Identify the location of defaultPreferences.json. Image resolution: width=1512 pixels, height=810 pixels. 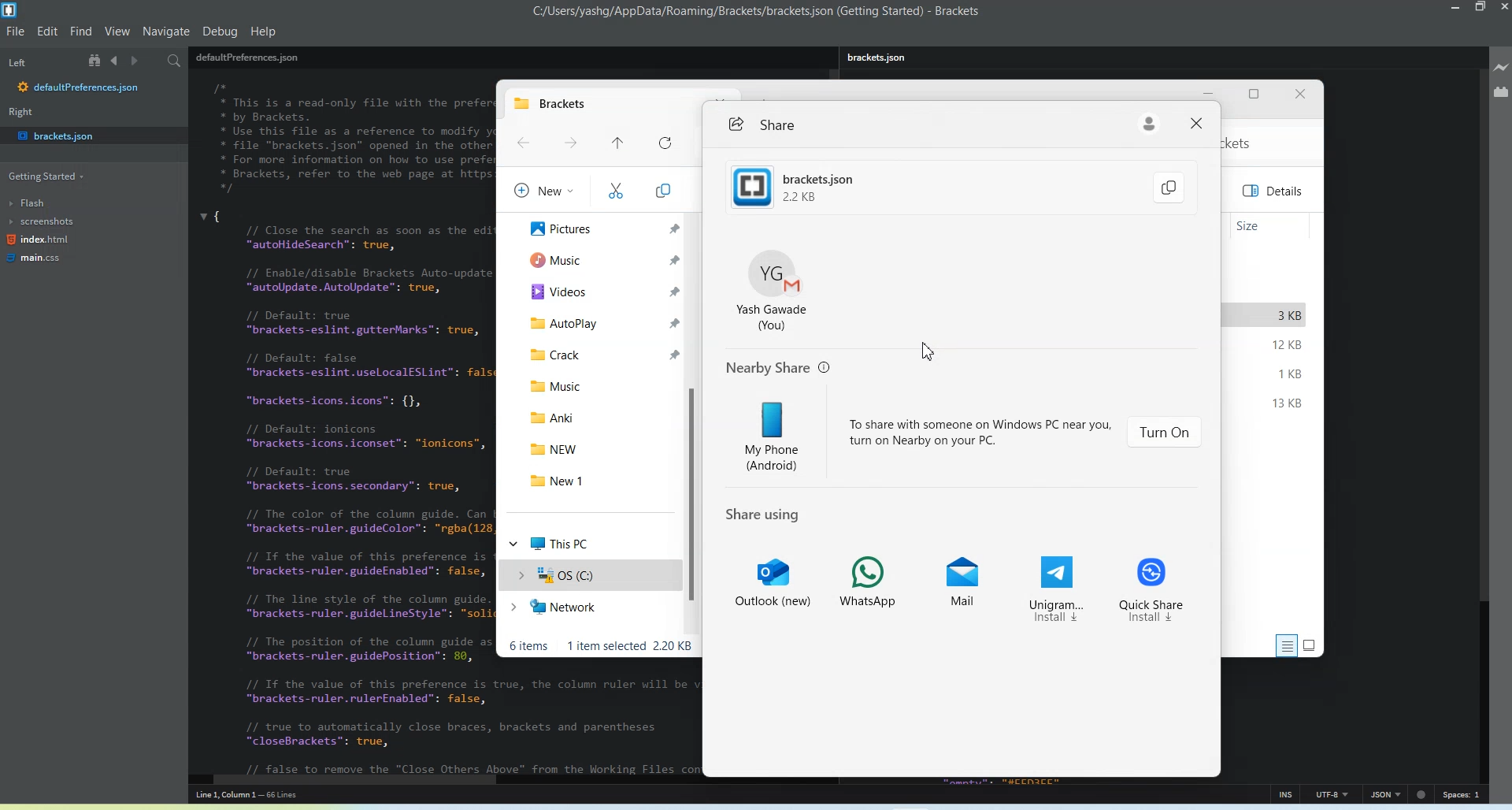
(247, 57).